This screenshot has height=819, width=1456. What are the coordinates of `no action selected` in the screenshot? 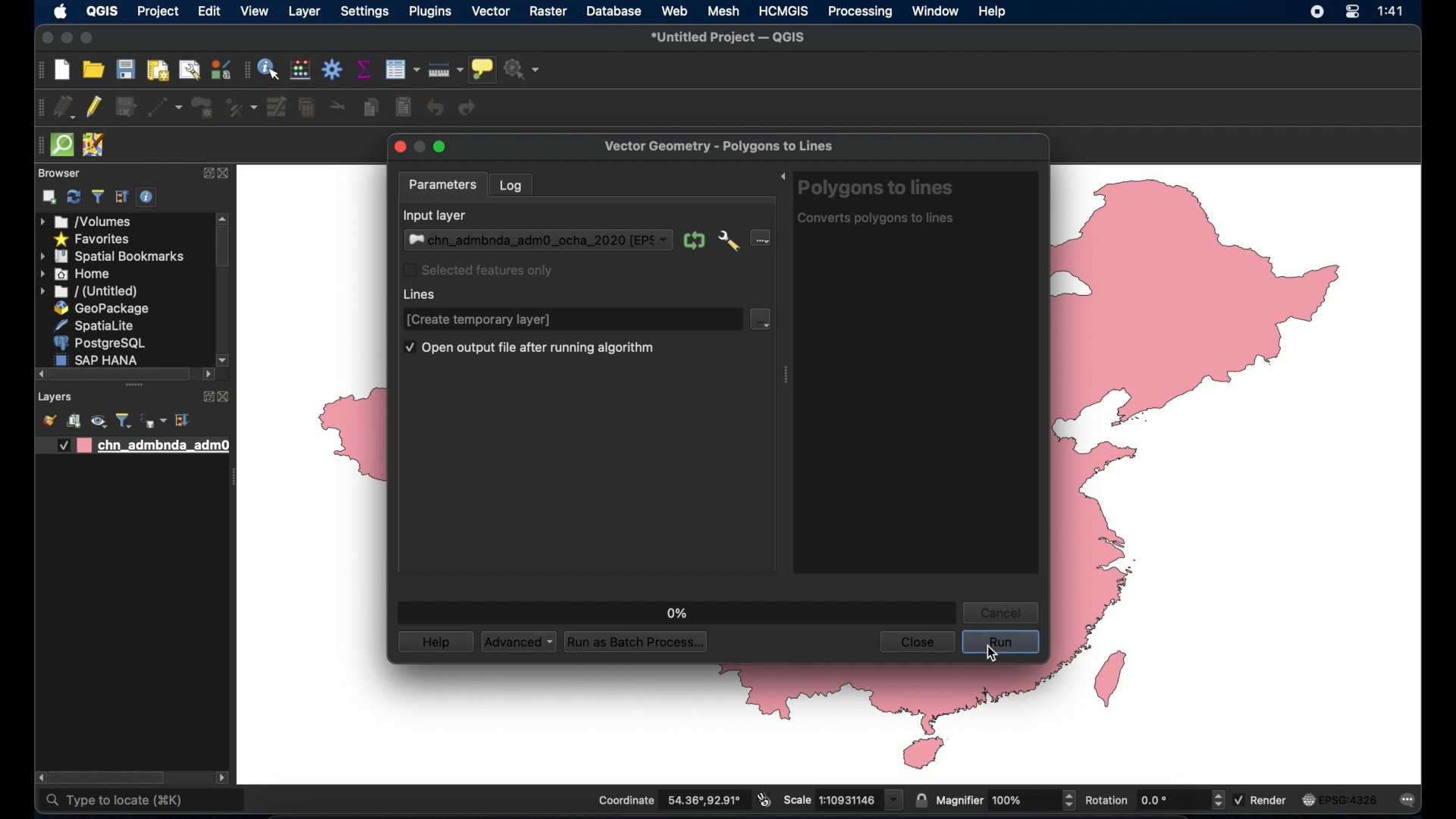 It's located at (523, 69).